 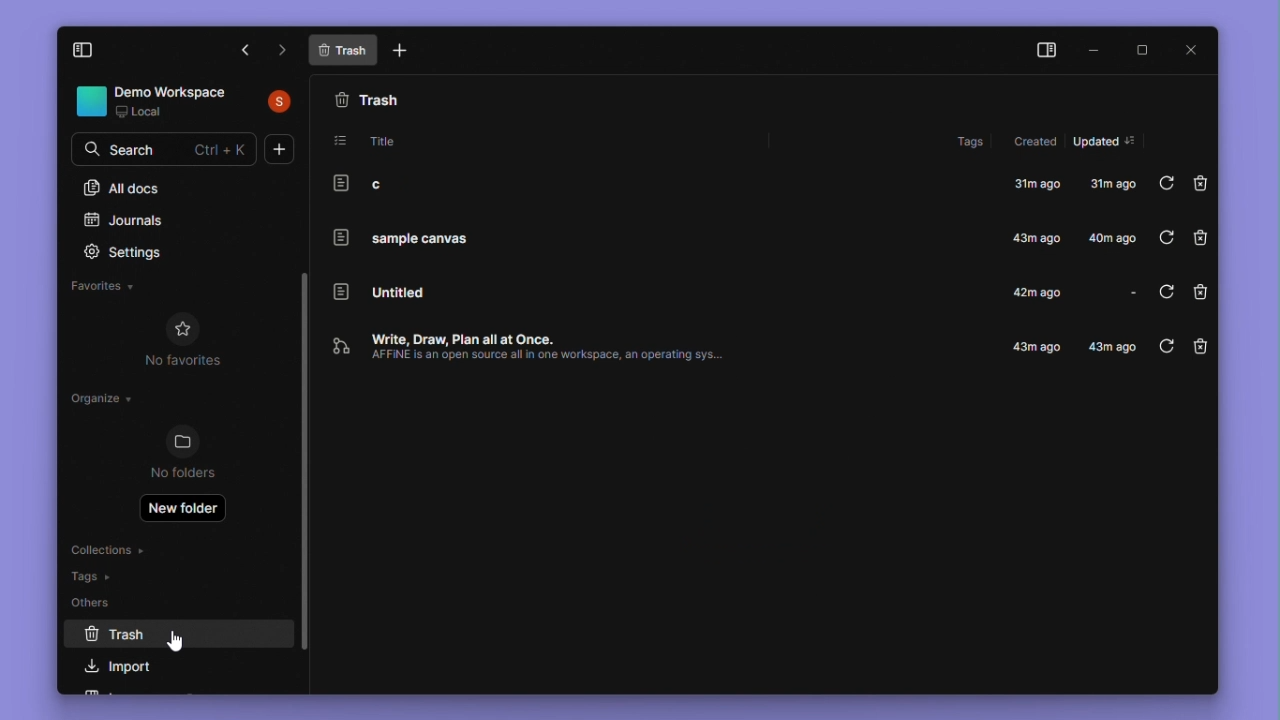 What do you see at coordinates (974, 142) in the screenshot?
I see `tags` at bounding box center [974, 142].